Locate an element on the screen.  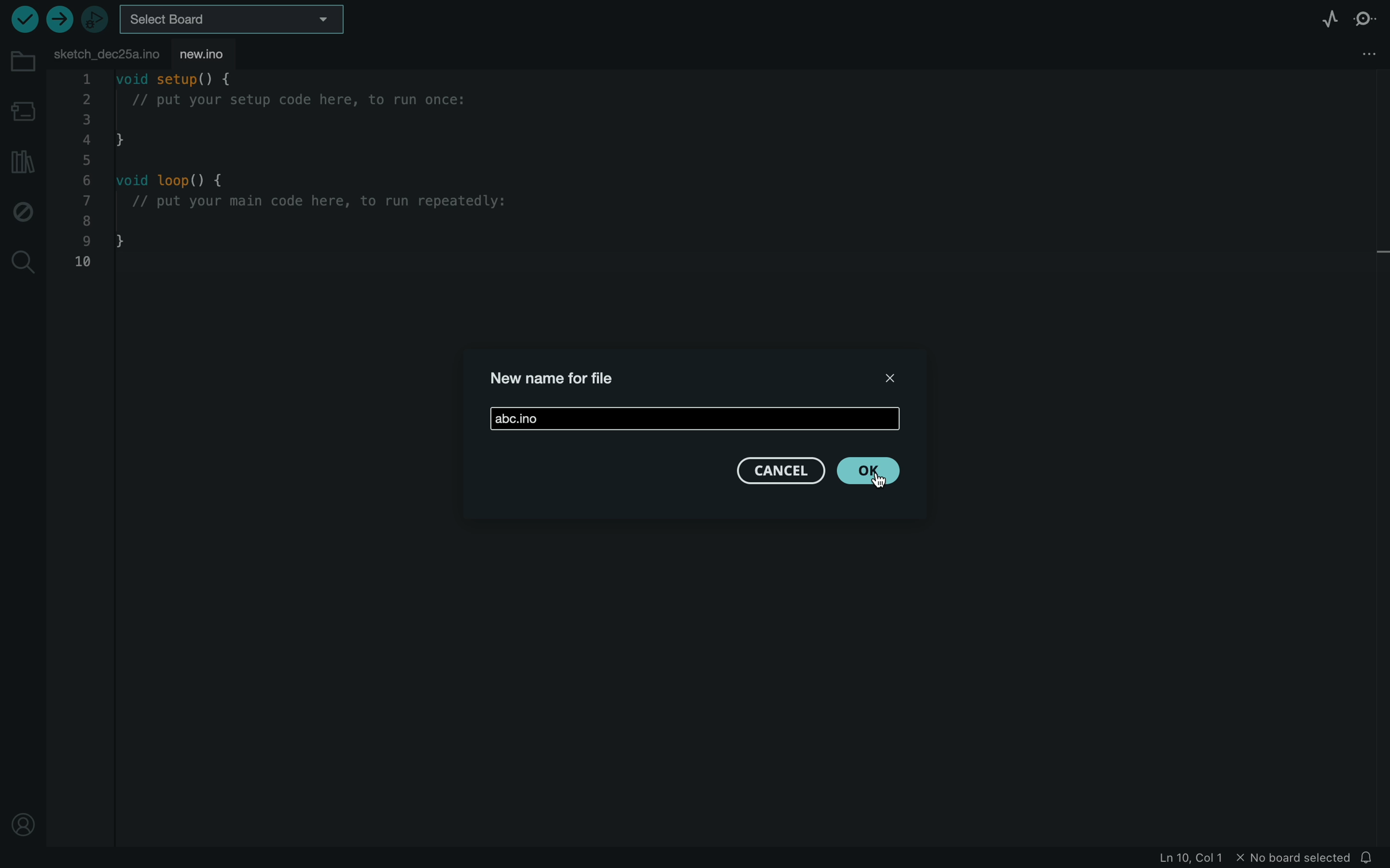
new name  is located at coordinates (558, 381).